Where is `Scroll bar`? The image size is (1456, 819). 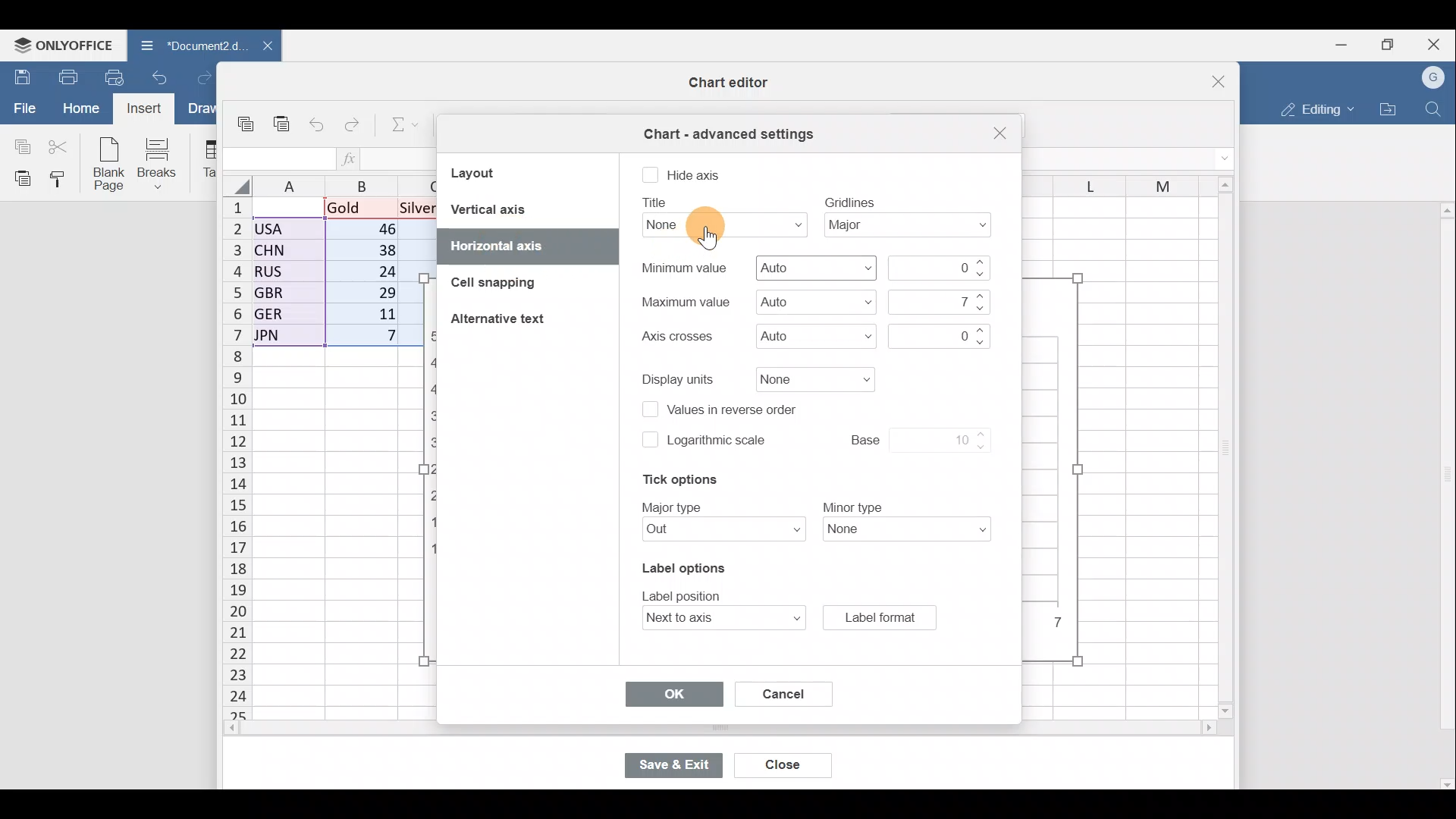
Scroll bar is located at coordinates (1444, 495).